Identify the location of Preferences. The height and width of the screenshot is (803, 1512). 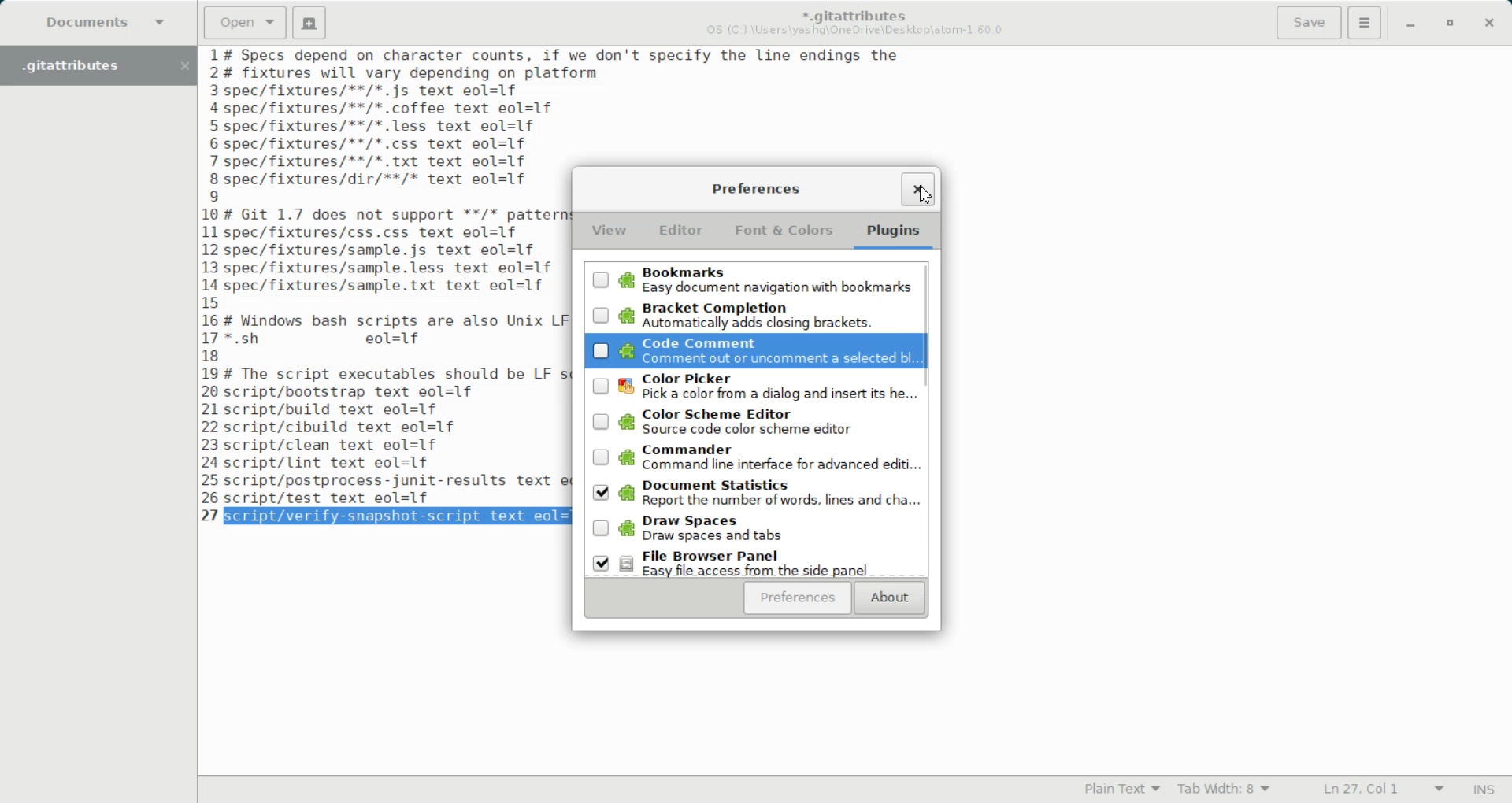
(754, 188).